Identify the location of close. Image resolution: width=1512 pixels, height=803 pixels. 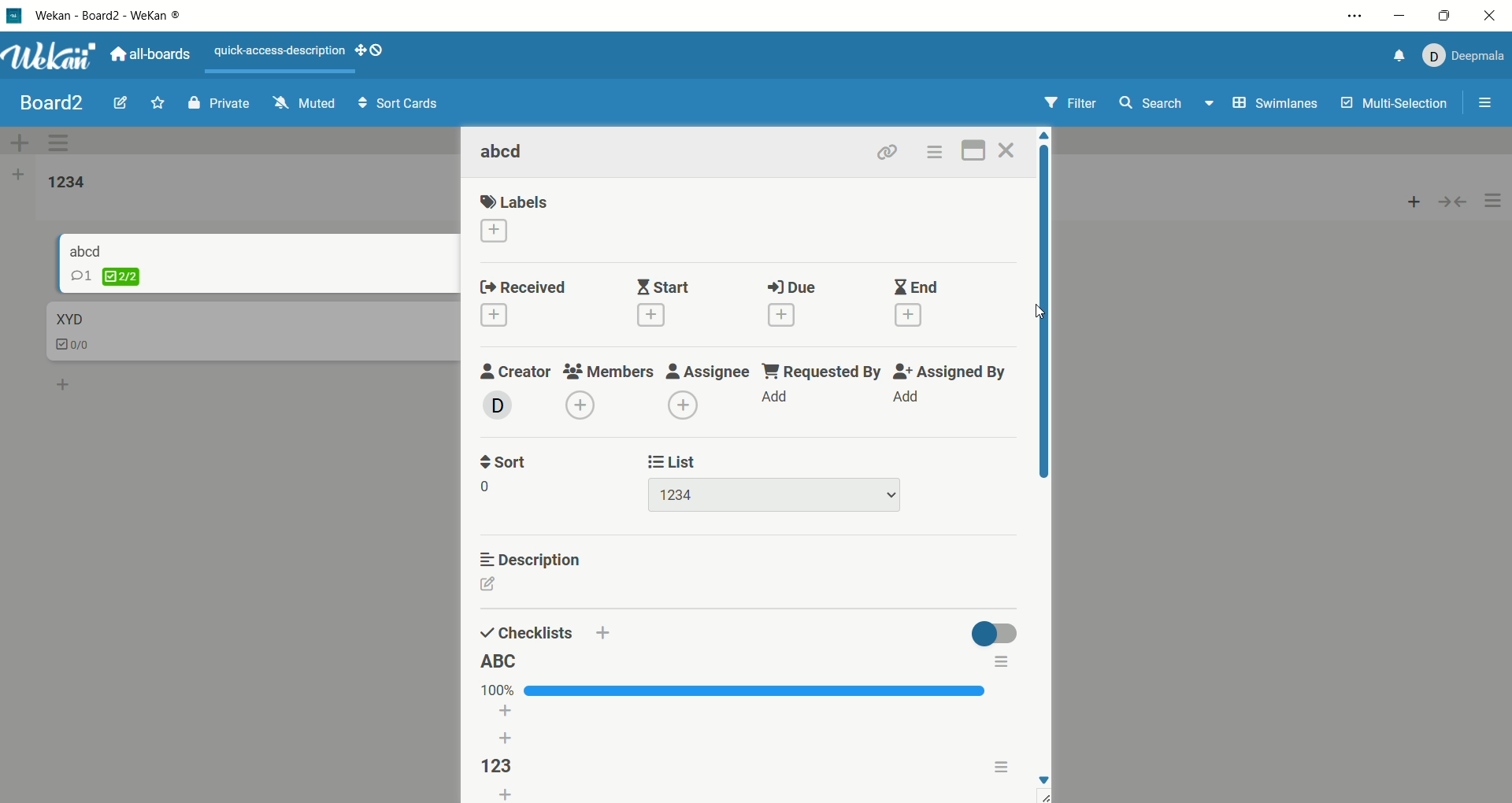
(1010, 150).